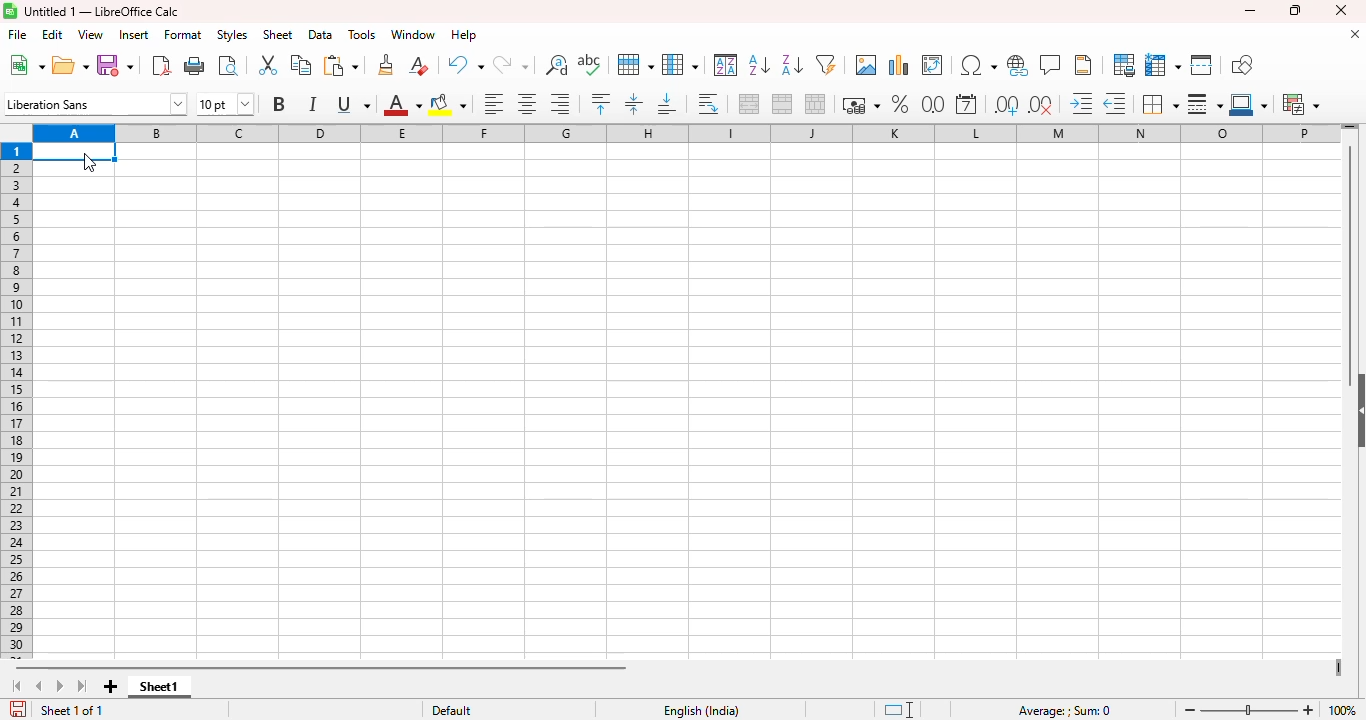  What do you see at coordinates (353, 104) in the screenshot?
I see `underline` at bounding box center [353, 104].